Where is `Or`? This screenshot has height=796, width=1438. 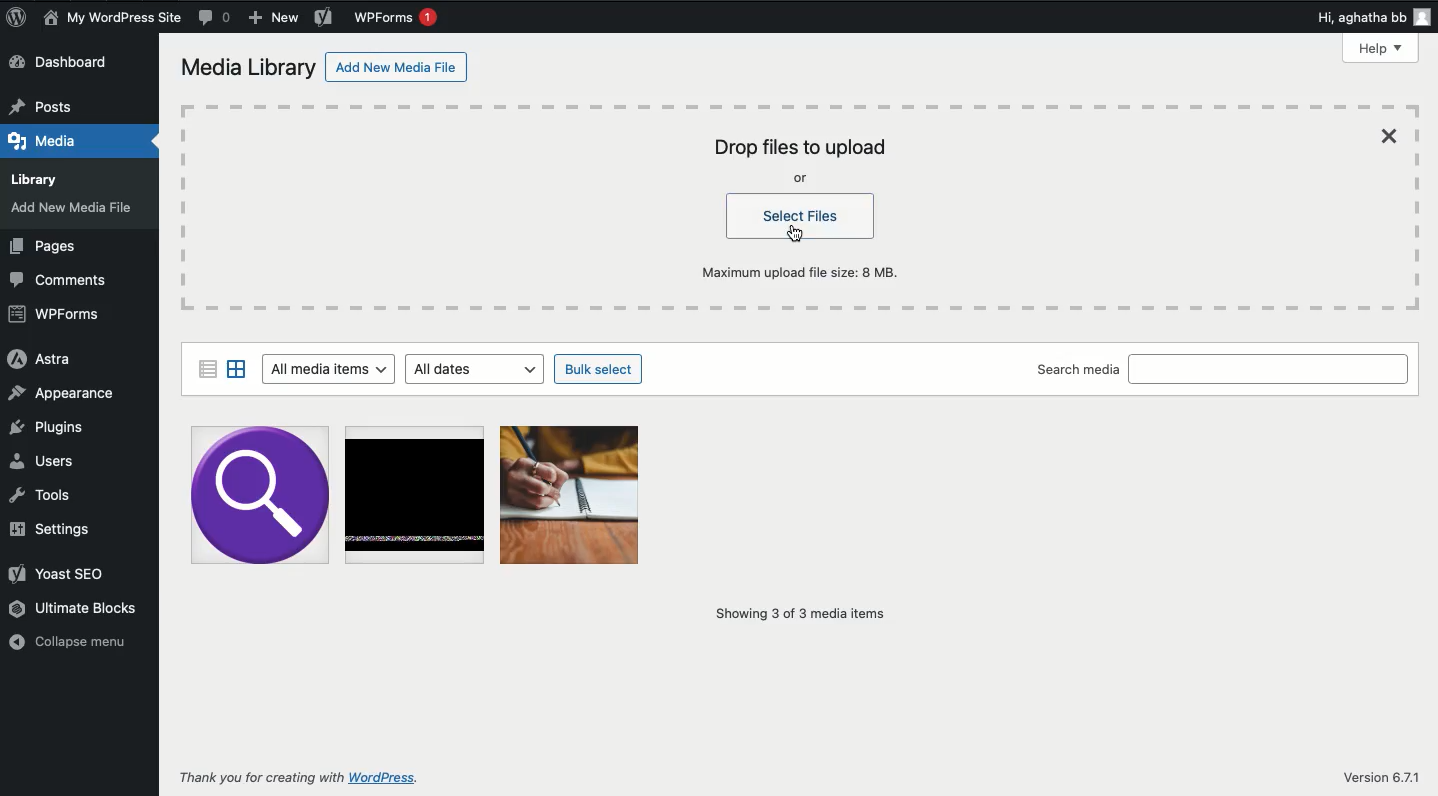
Or is located at coordinates (802, 179).